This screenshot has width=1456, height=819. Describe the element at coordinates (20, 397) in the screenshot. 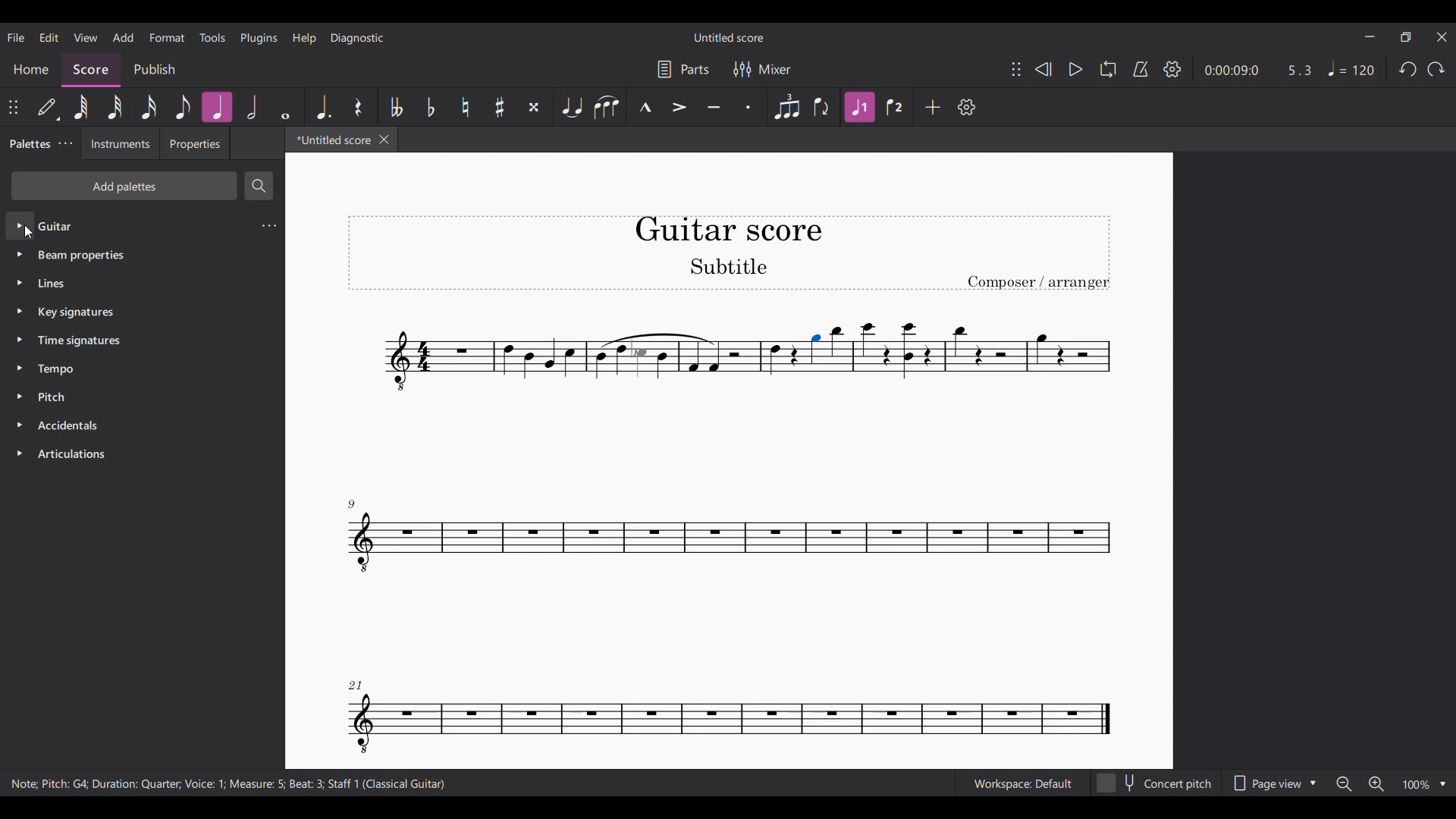

I see `Click to expand pitch palette` at that location.